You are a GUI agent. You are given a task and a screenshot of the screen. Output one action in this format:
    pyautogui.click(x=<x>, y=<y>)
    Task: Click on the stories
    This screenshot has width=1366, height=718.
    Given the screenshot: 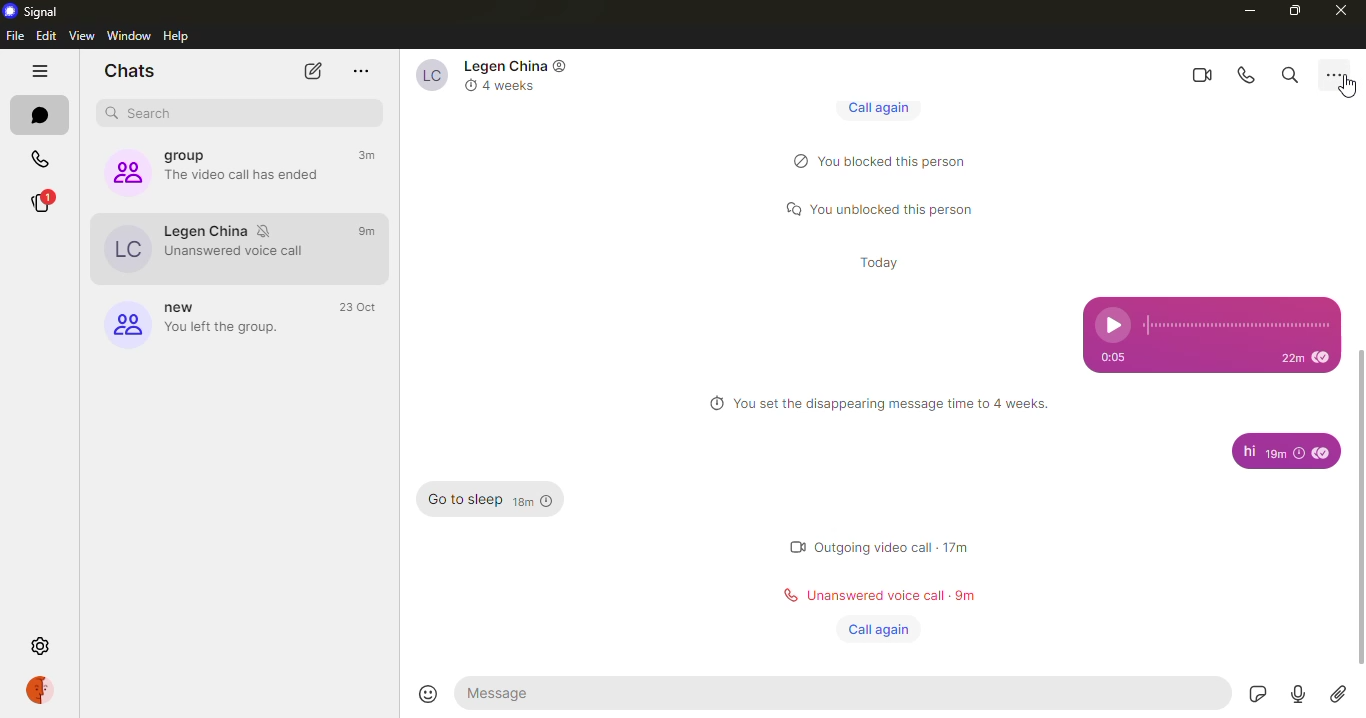 What is the action you would take?
    pyautogui.click(x=40, y=202)
    